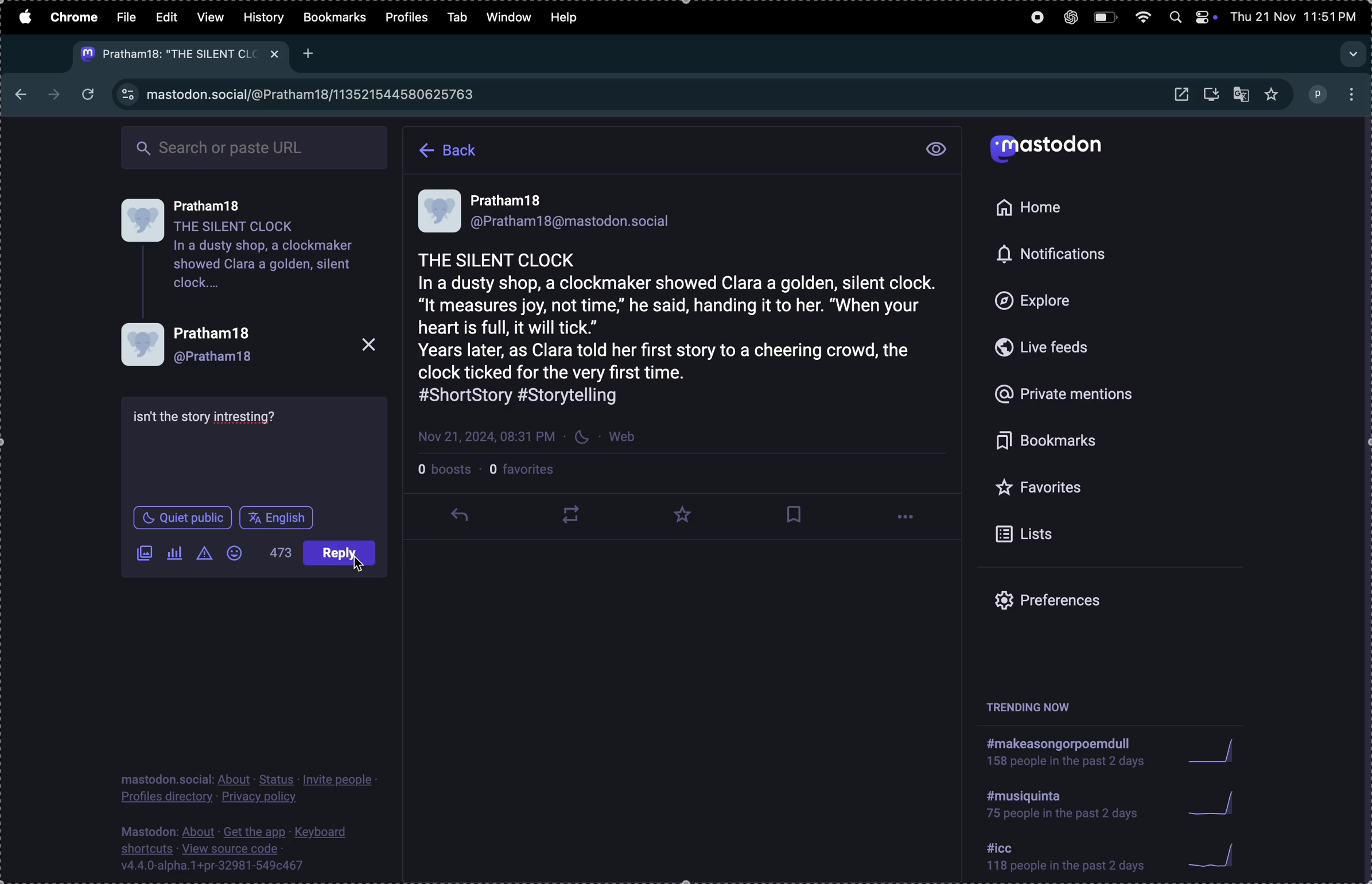  What do you see at coordinates (1104, 18) in the screenshot?
I see `battery` at bounding box center [1104, 18].